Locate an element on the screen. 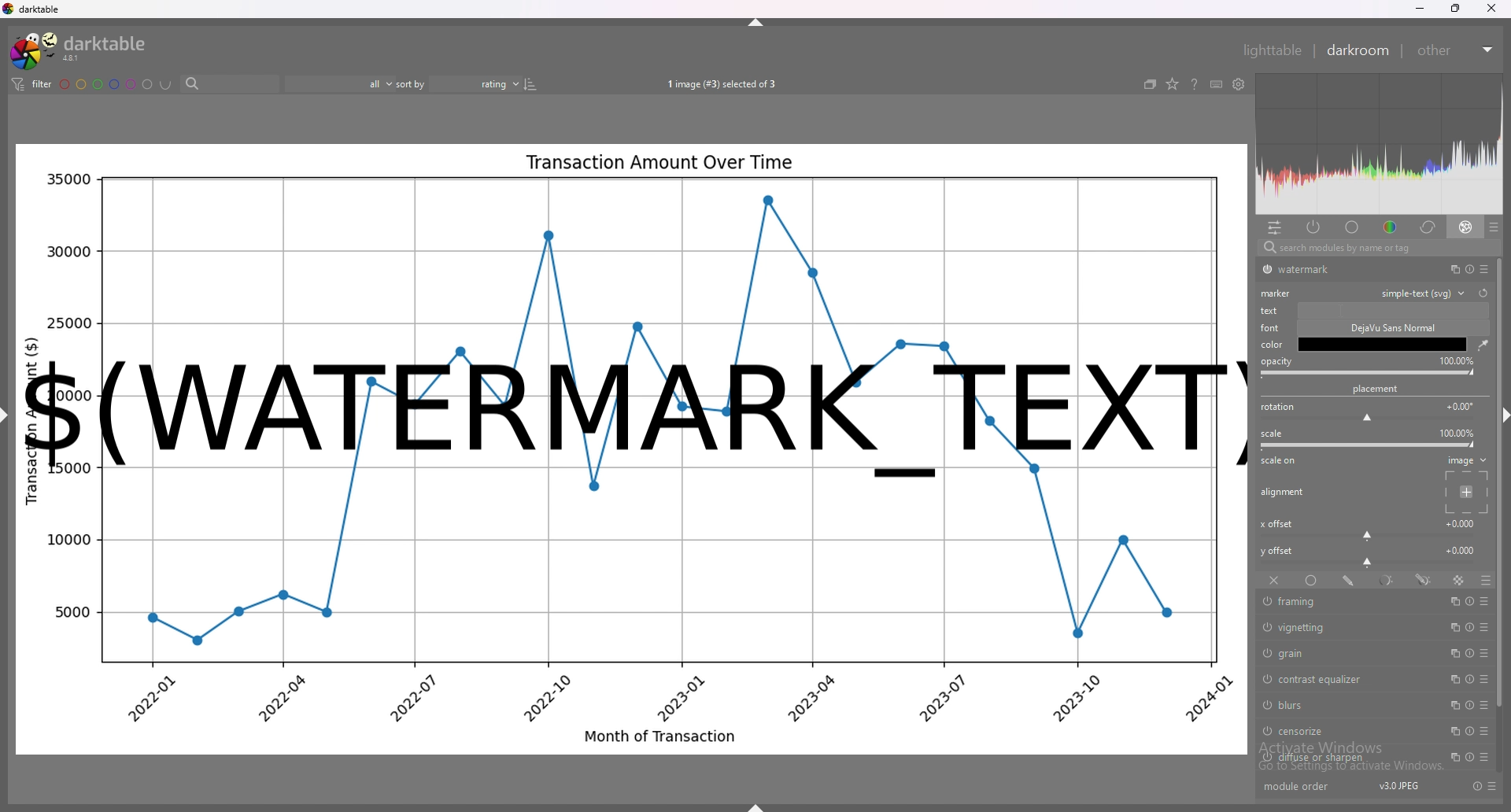 The height and width of the screenshot is (812, 1511). presets is located at coordinates (1484, 269).